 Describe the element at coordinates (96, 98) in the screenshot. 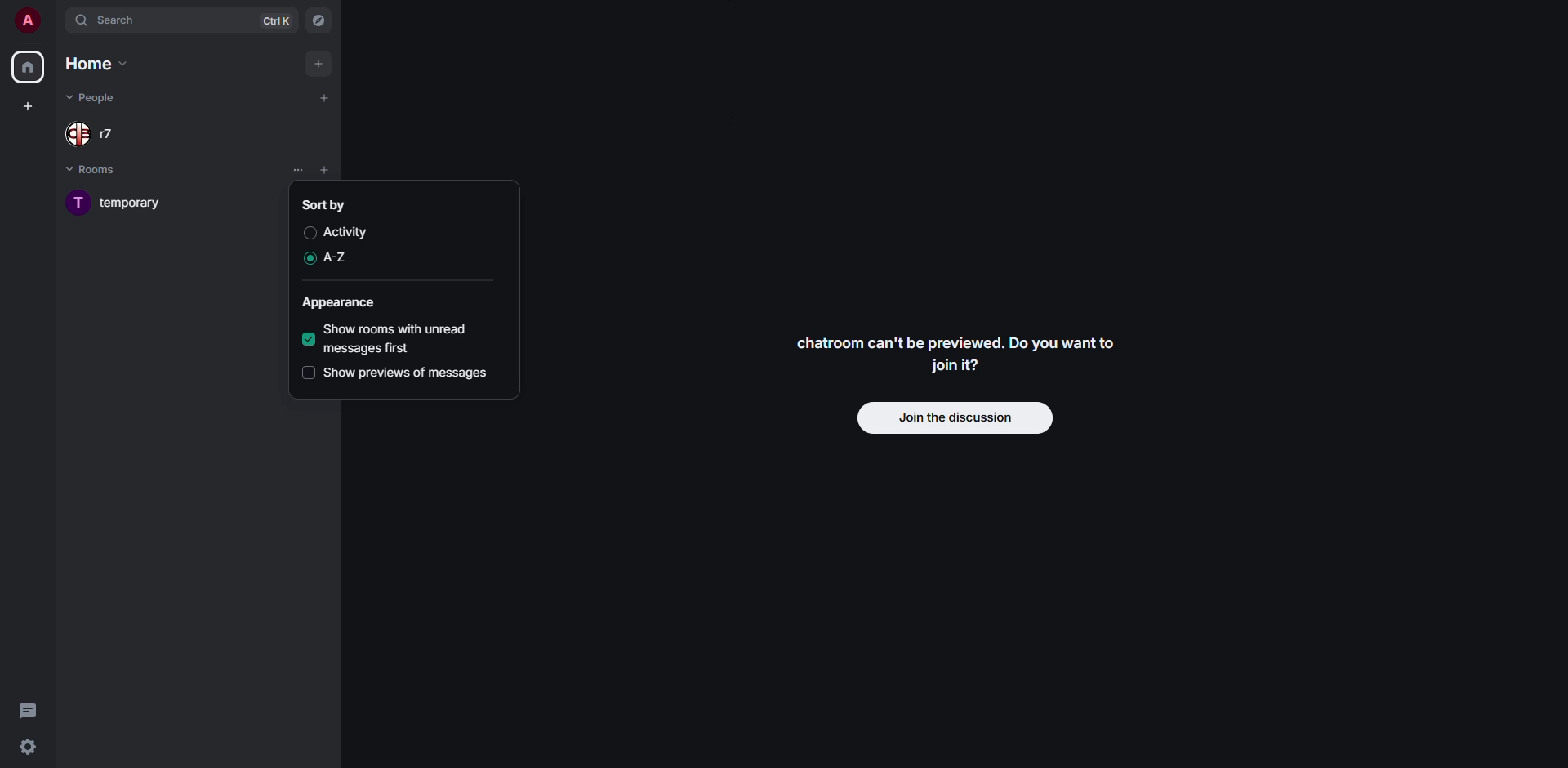

I see `people` at that location.